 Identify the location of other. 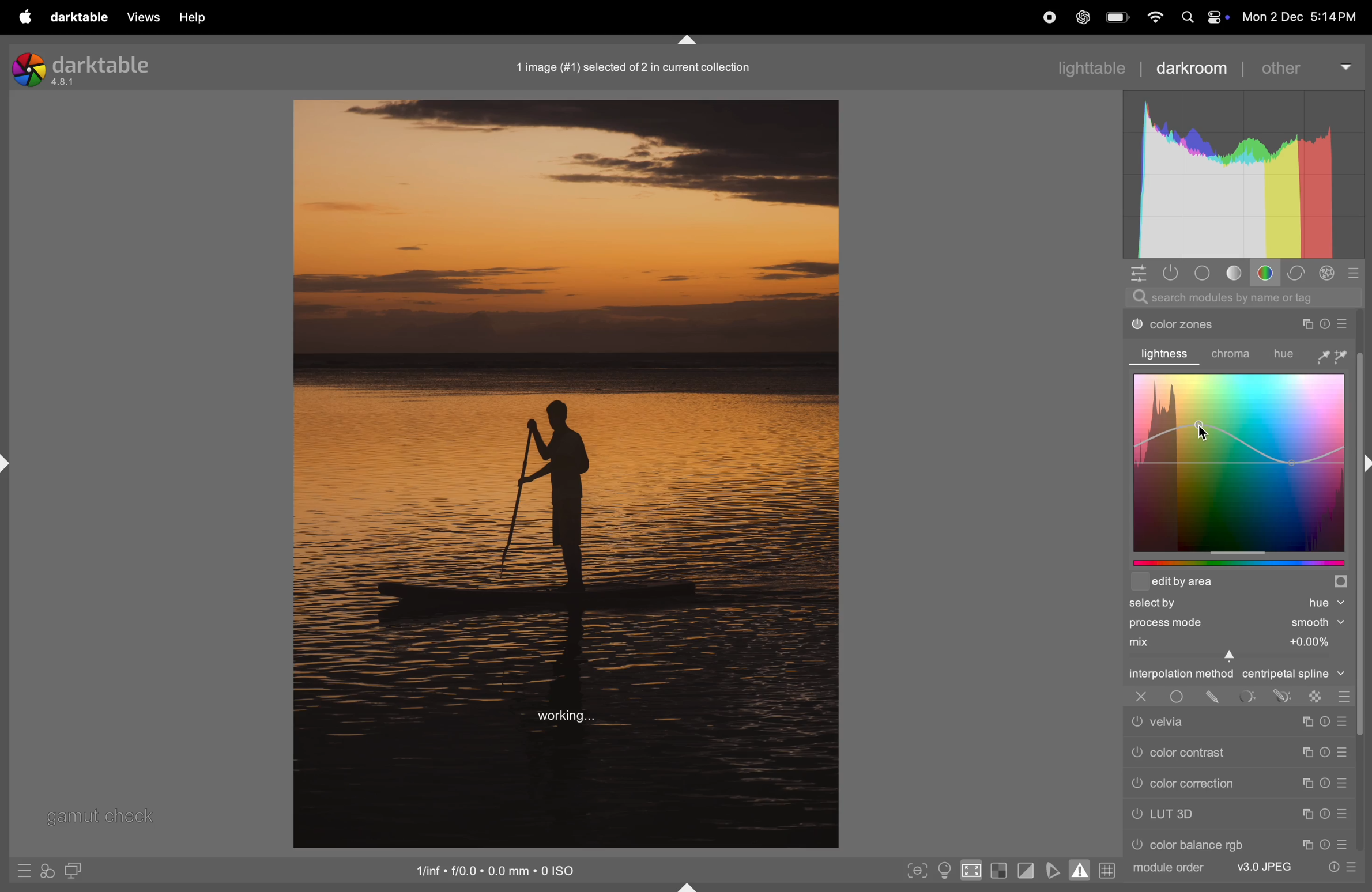
(1308, 66).